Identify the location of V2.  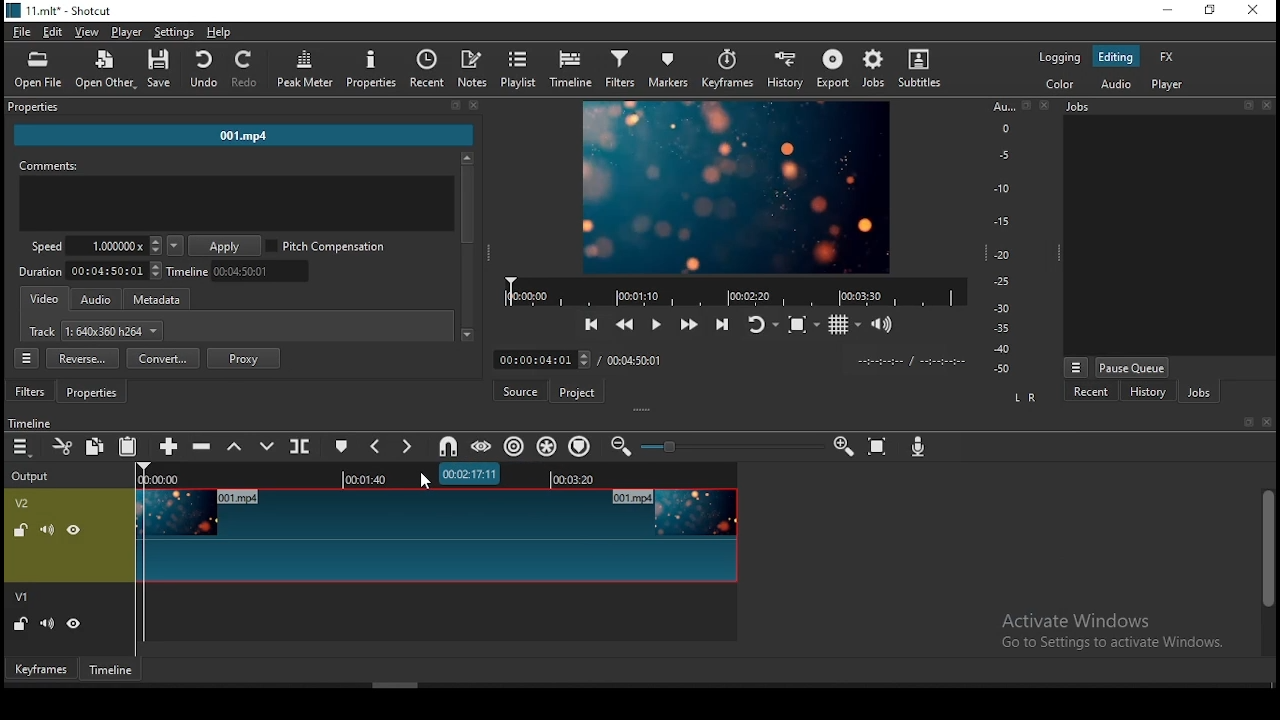
(25, 503).